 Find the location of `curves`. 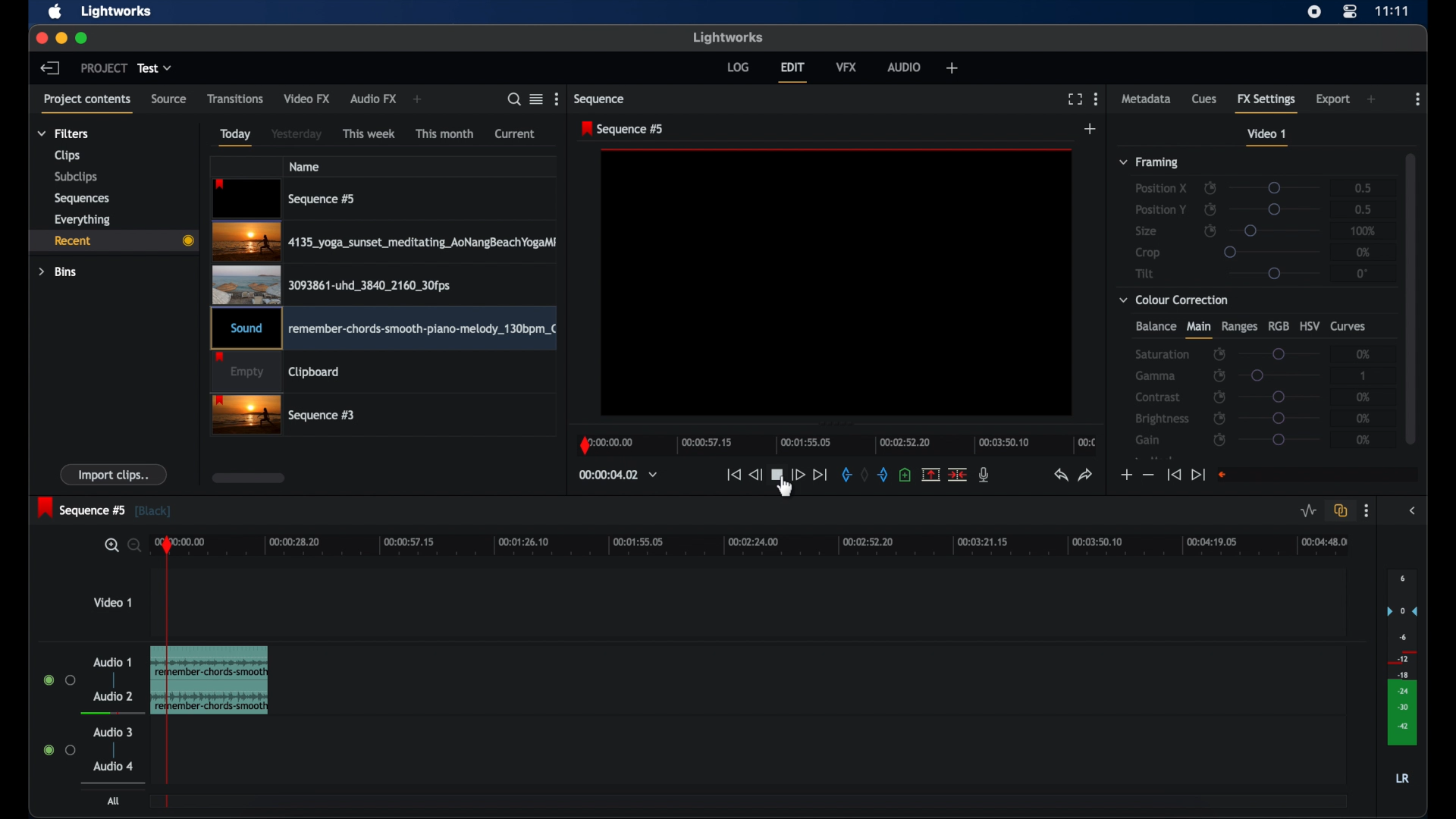

curves is located at coordinates (1351, 327).